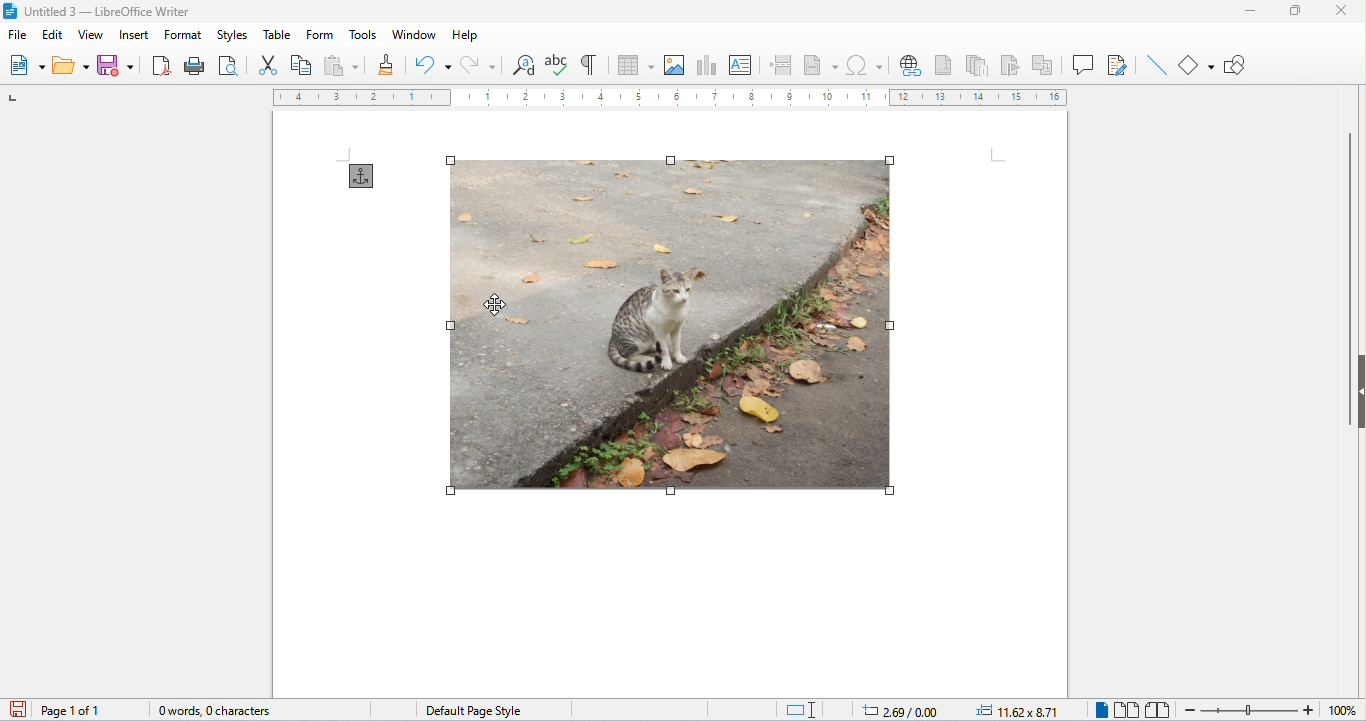 The image size is (1366, 722). I want to click on redo, so click(476, 64).